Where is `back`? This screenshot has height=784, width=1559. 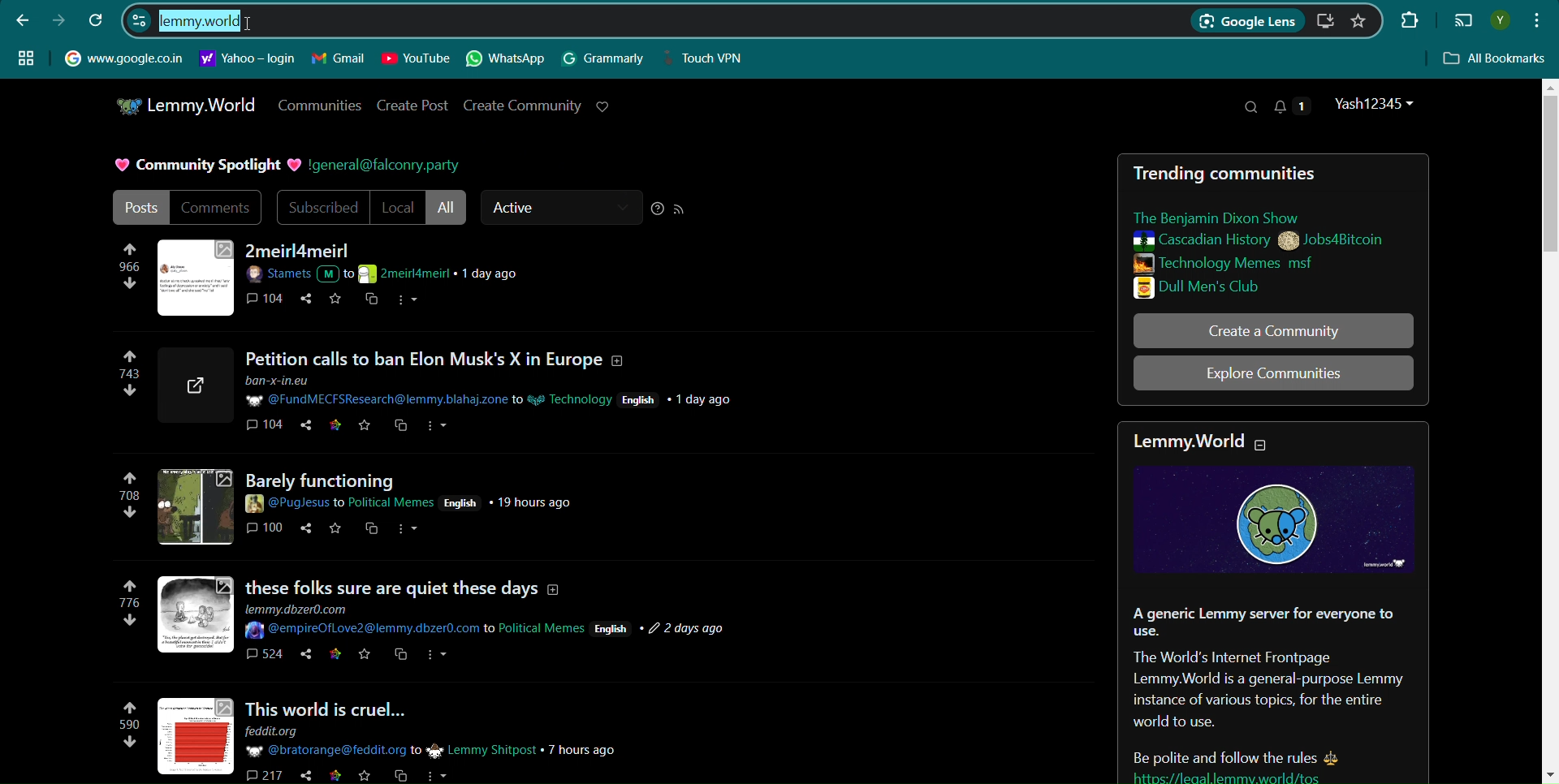
back is located at coordinates (23, 19).